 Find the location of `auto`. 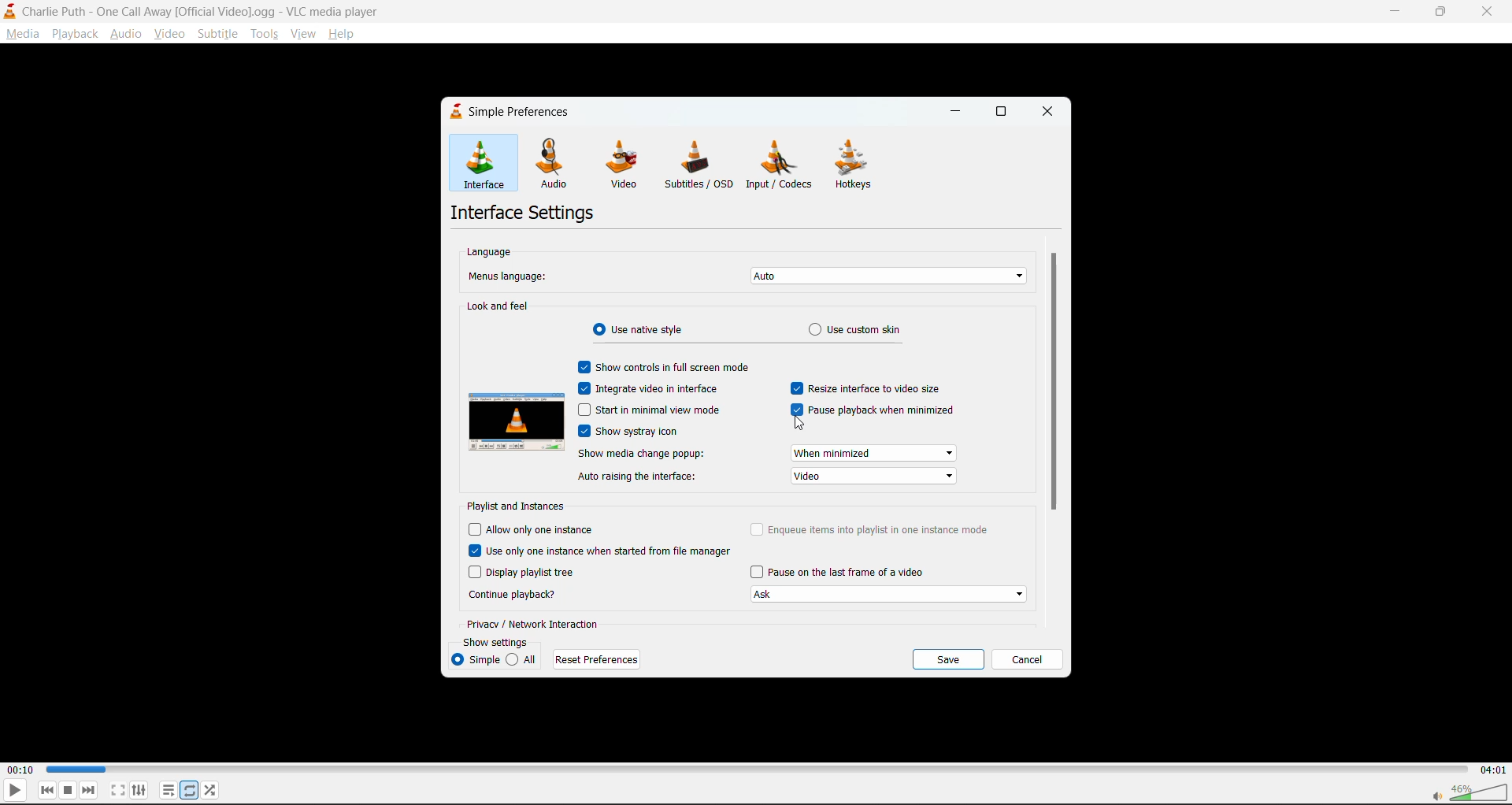

auto is located at coordinates (885, 277).